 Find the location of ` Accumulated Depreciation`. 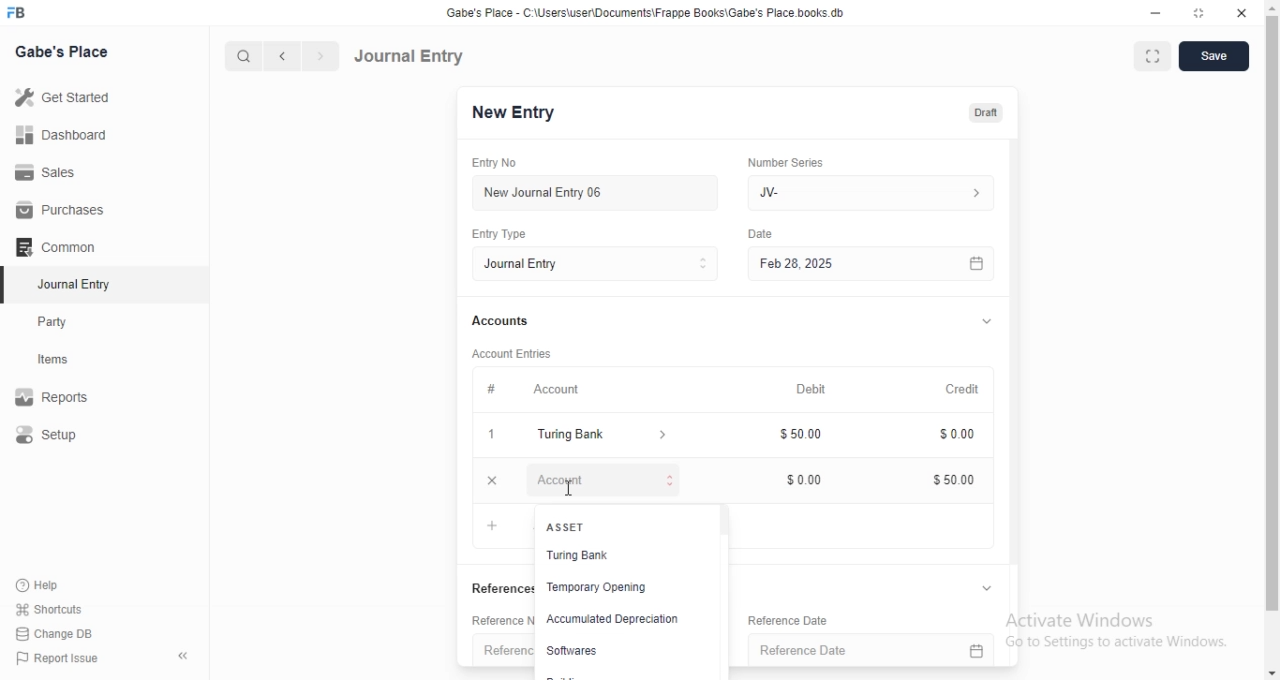

 Accumulated Depreciation is located at coordinates (612, 620).